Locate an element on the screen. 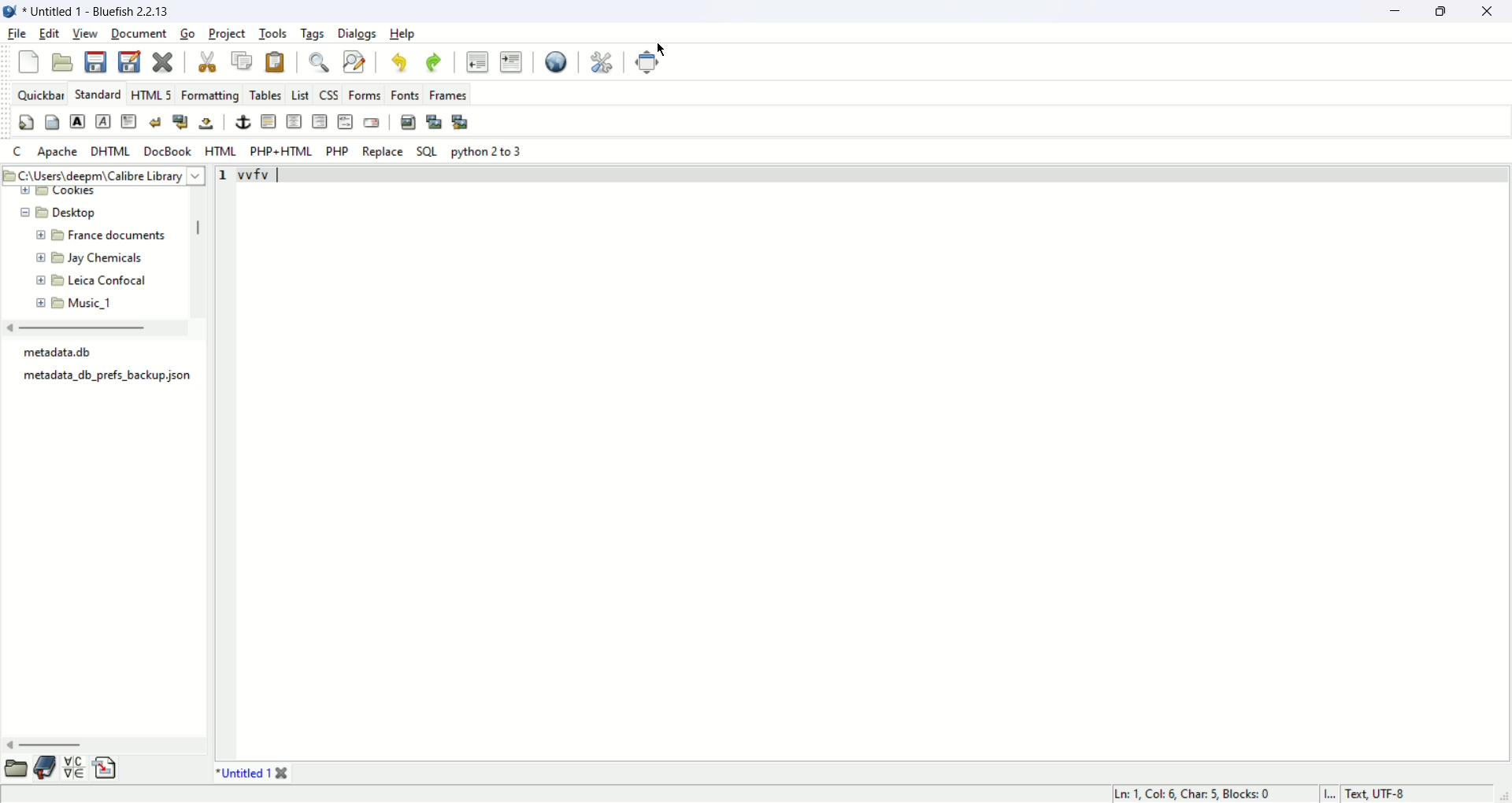 This screenshot has width=1512, height=803. insert thumbnail is located at coordinates (435, 121).